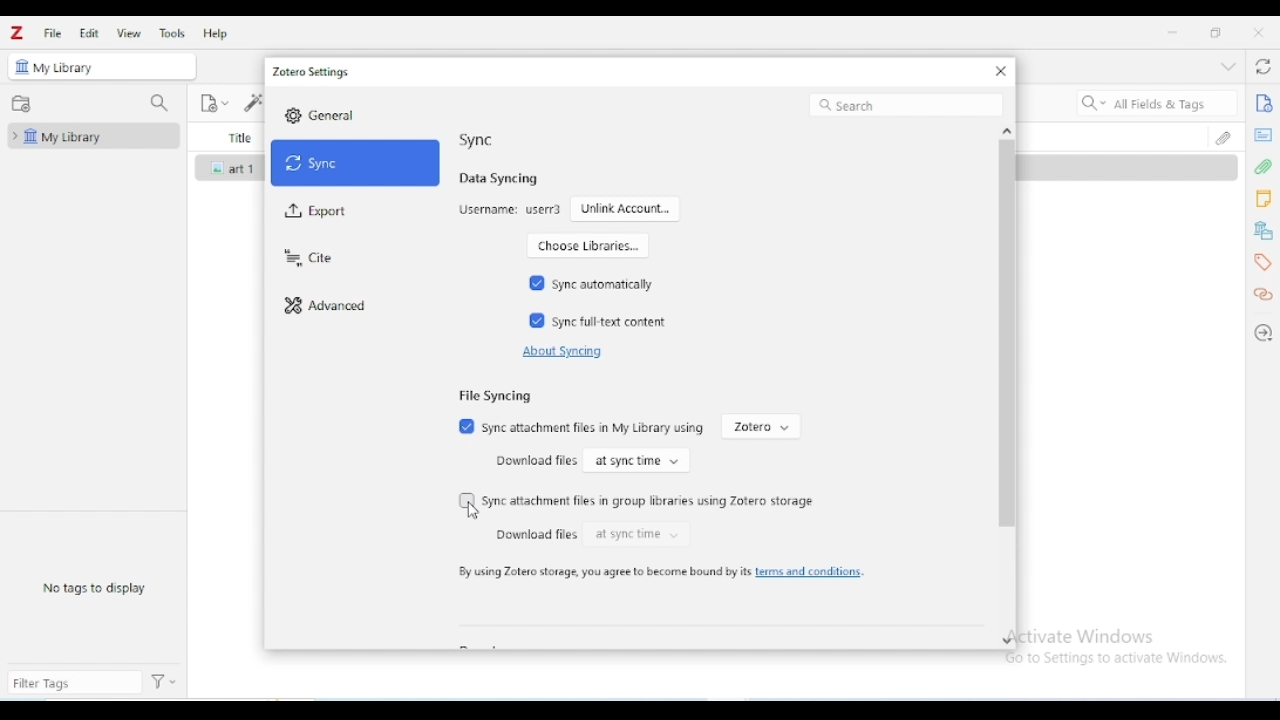  Describe the element at coordinates (334, 115) in the screenshot. I see `General` at that location.